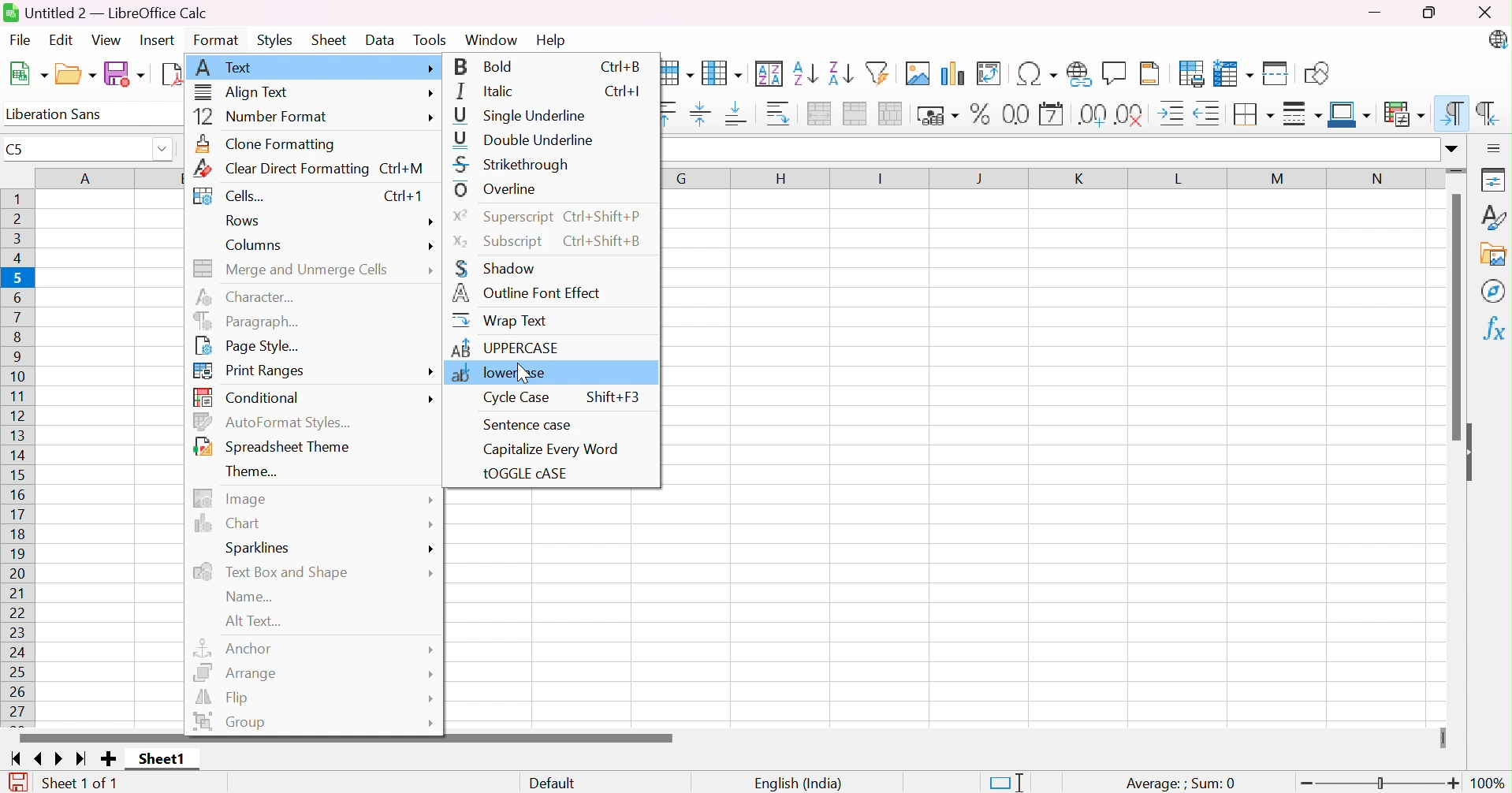 Image resolution: width=1512 pixels, height=793 pixels. I want to click on Liberation Sans, so click(61, 114).